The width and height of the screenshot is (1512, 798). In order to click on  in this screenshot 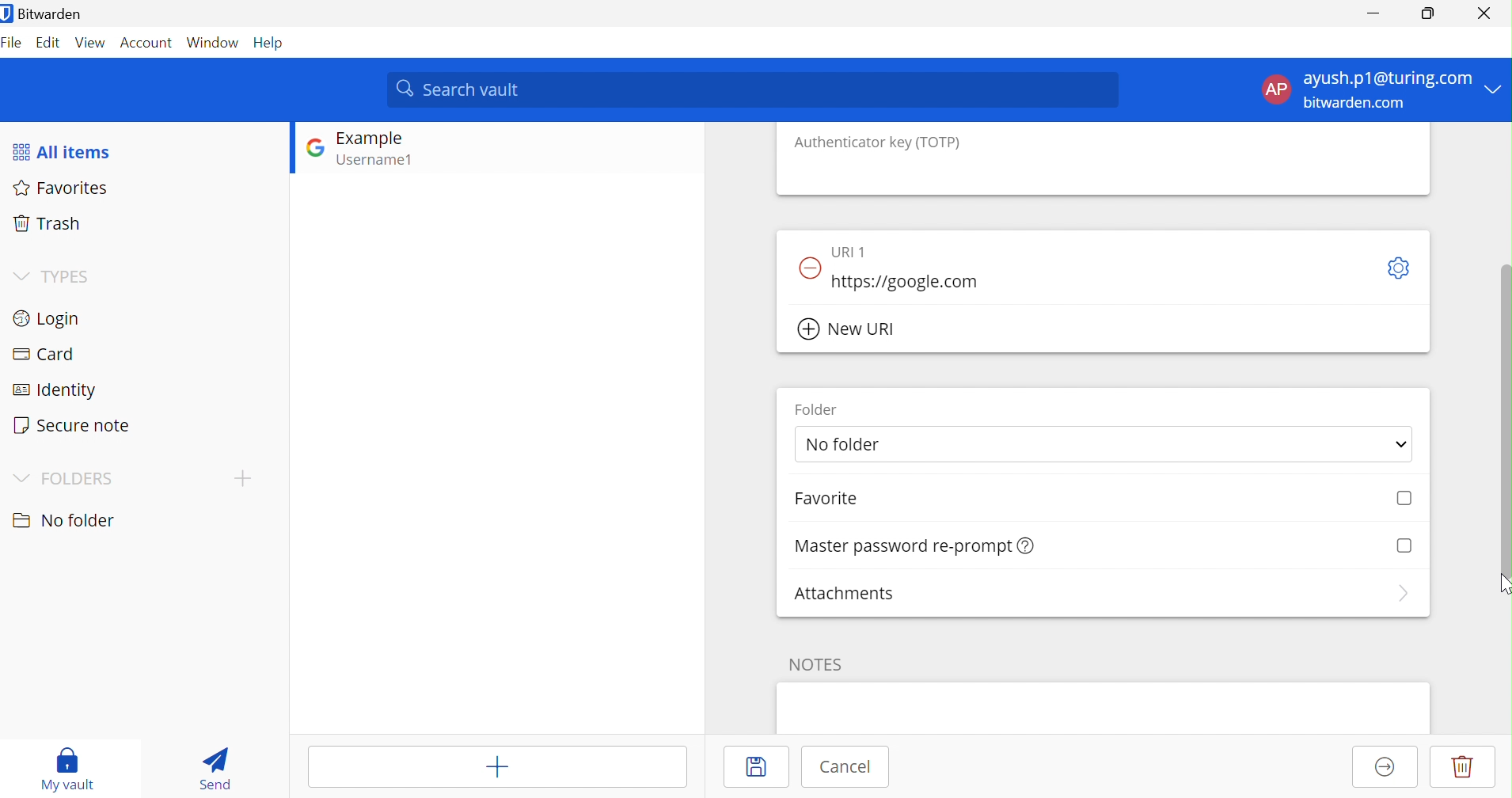, I will do `click(51, 223)`.